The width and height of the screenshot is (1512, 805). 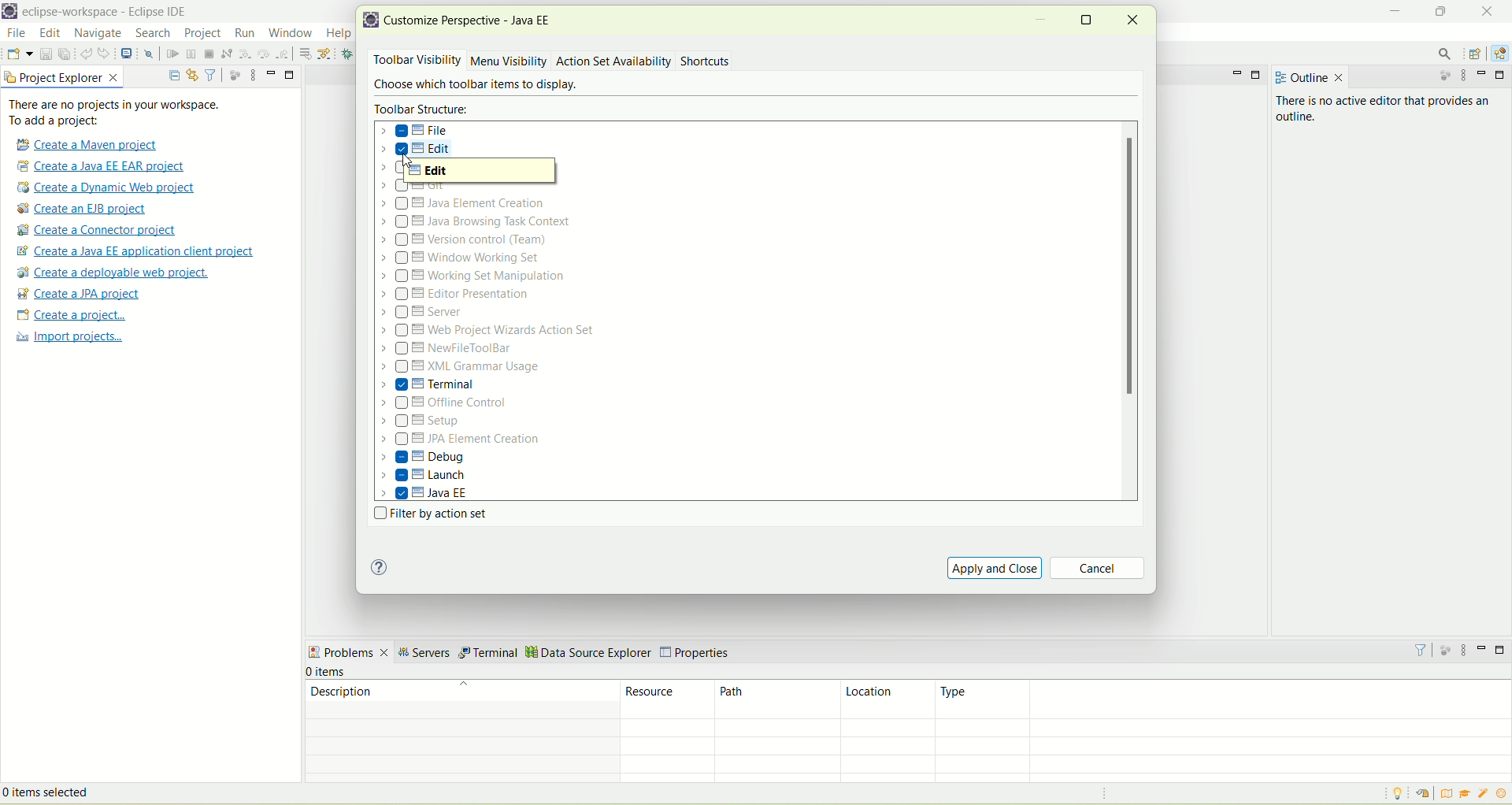 What do you see at coordinates (1041, 23) in the screenshot?
I see `minimize` at bounding box center [1041, 23].